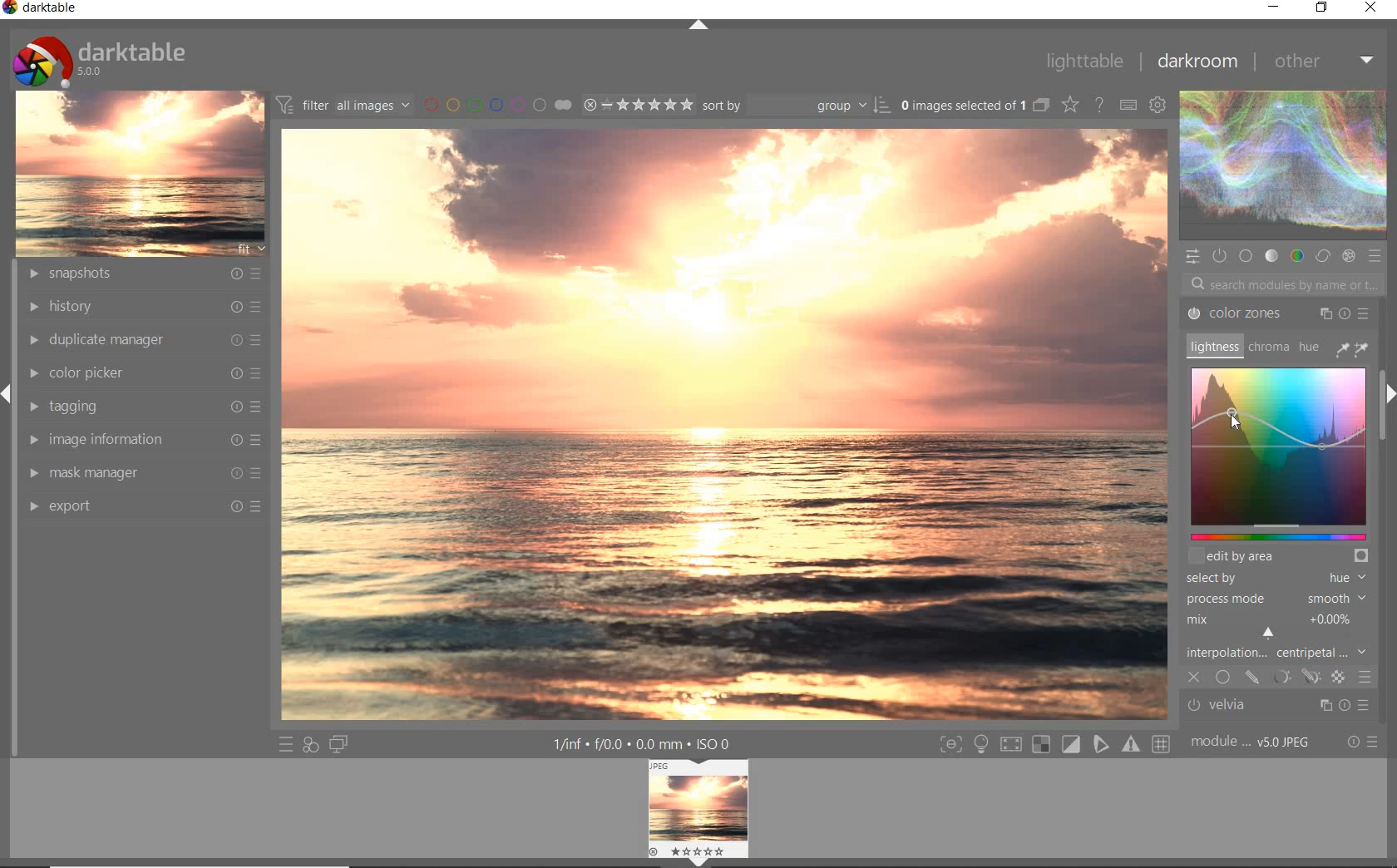 The height and width of the screenshot is (868, 1397). I want to click on COLOR ZONES, so click(1278, 313).